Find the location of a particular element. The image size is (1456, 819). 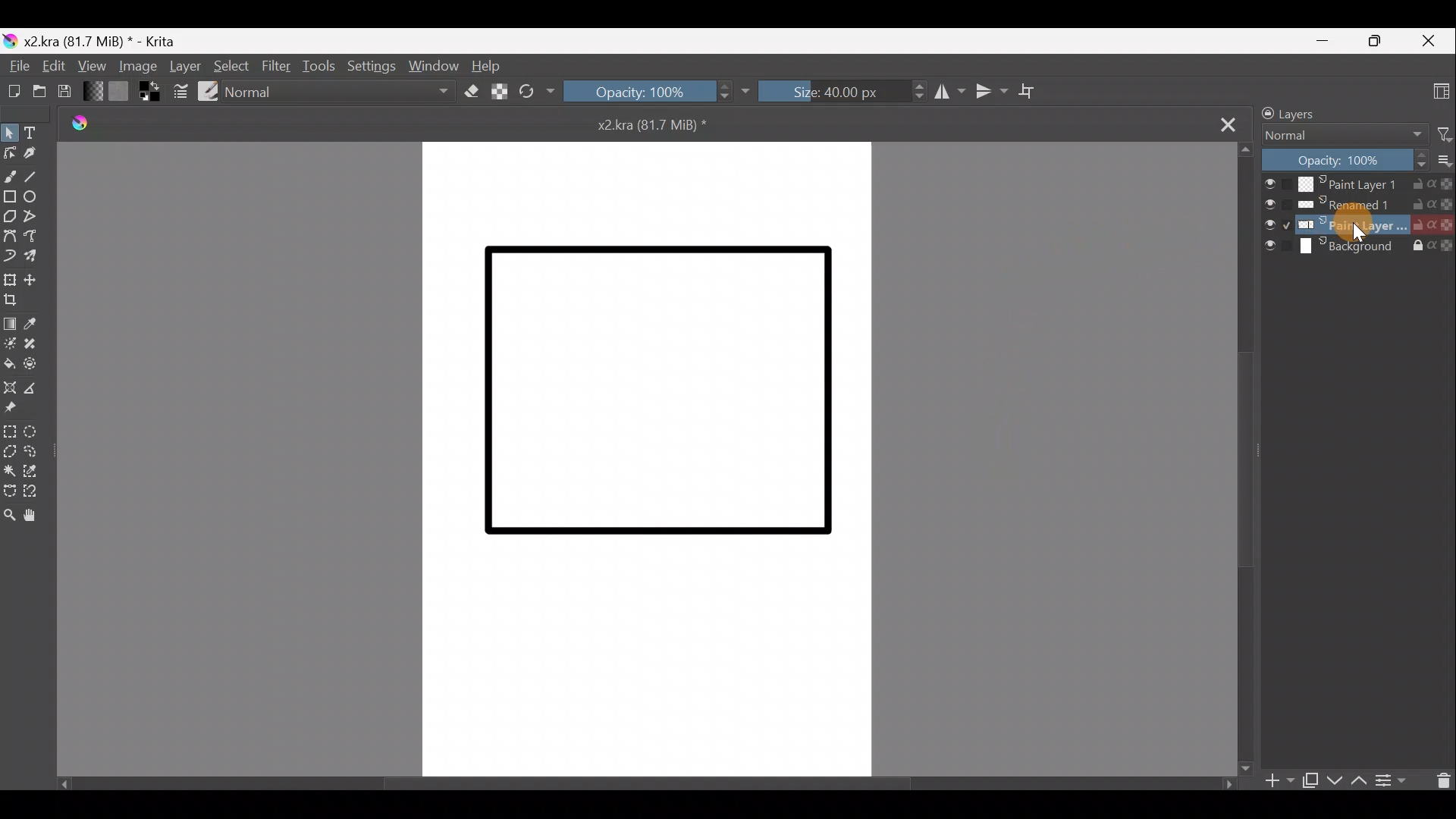

Measure the distance between two points is located at coordinates (39, 388).